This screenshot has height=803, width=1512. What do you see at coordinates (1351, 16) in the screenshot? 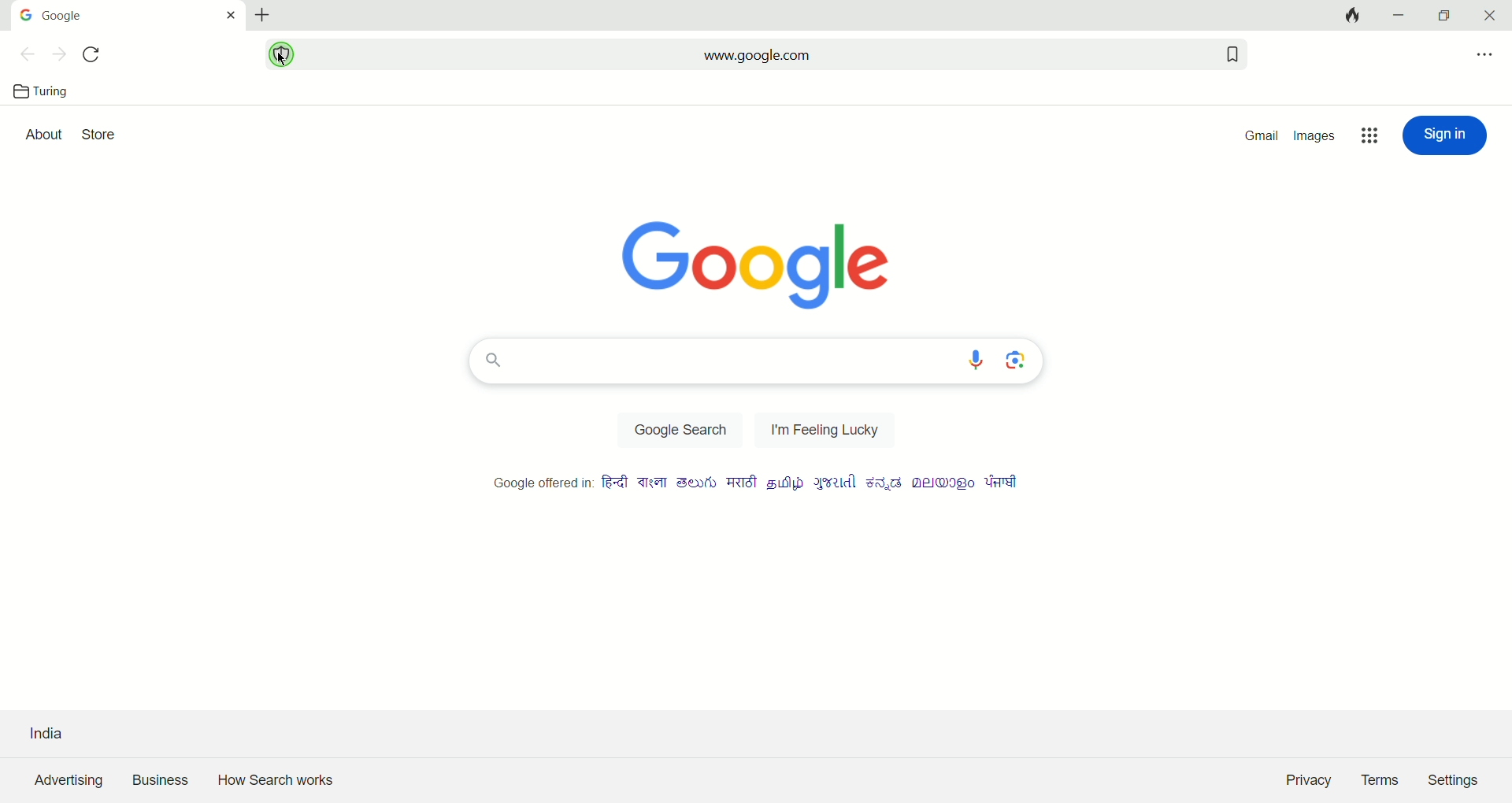
I see `close all tabs and clear data` at bounding box center [1351, 16].